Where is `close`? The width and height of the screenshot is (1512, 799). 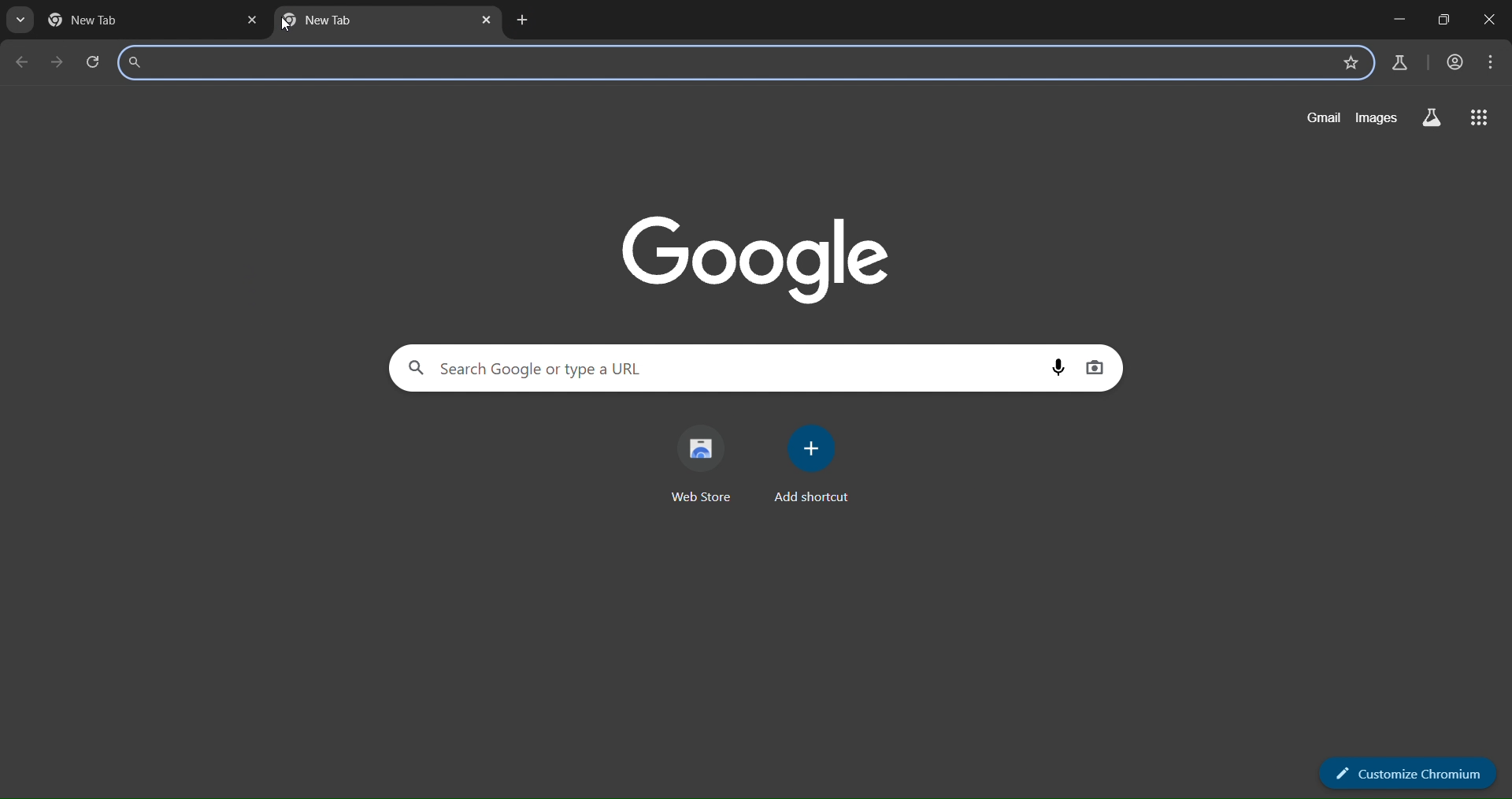
close is located at coordinates (1487, 20).